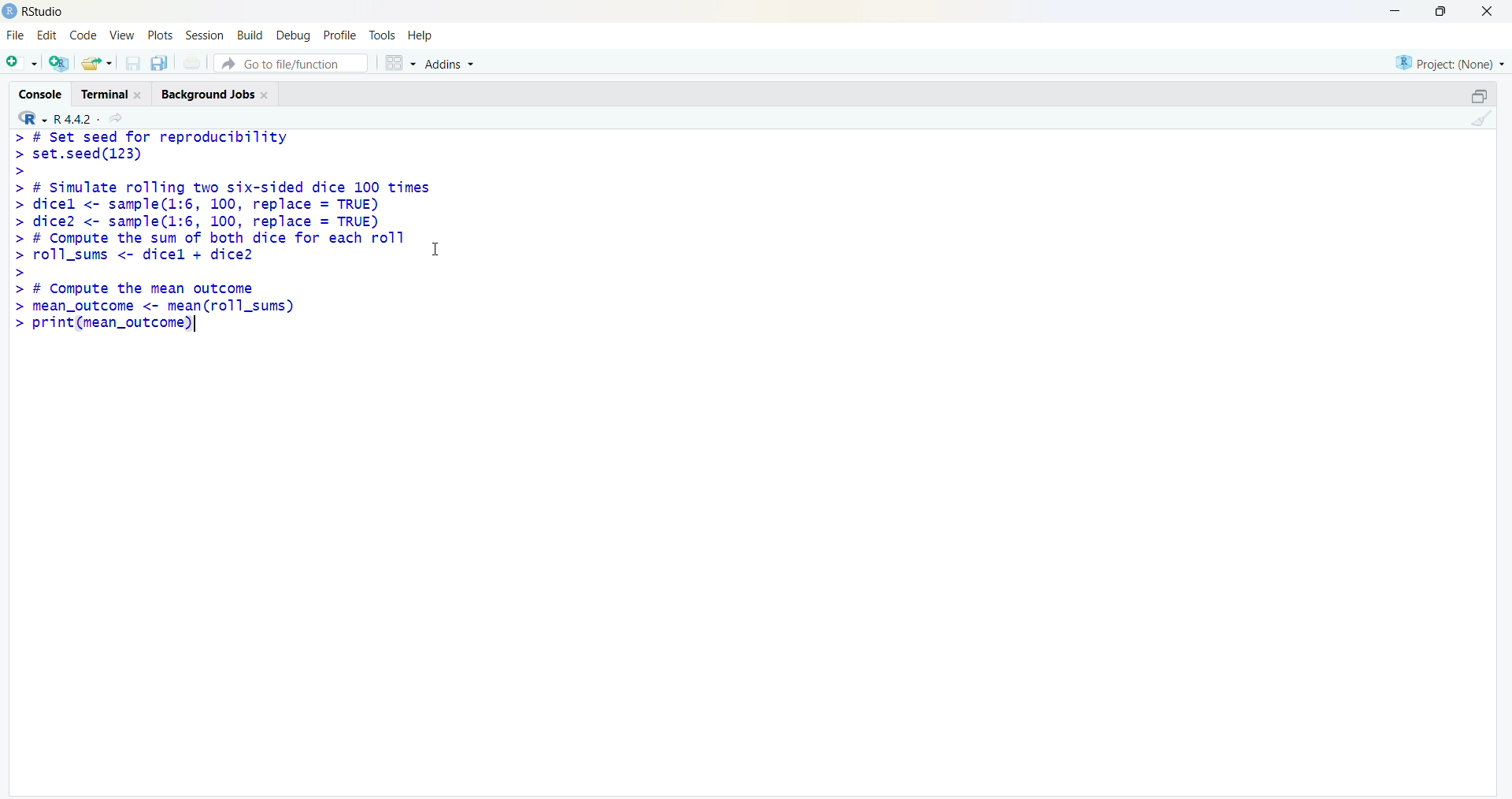  What do you see at coordinates (1445, 11) in the screenshot?
I see `maximise` at bounding box center [1445, 11].